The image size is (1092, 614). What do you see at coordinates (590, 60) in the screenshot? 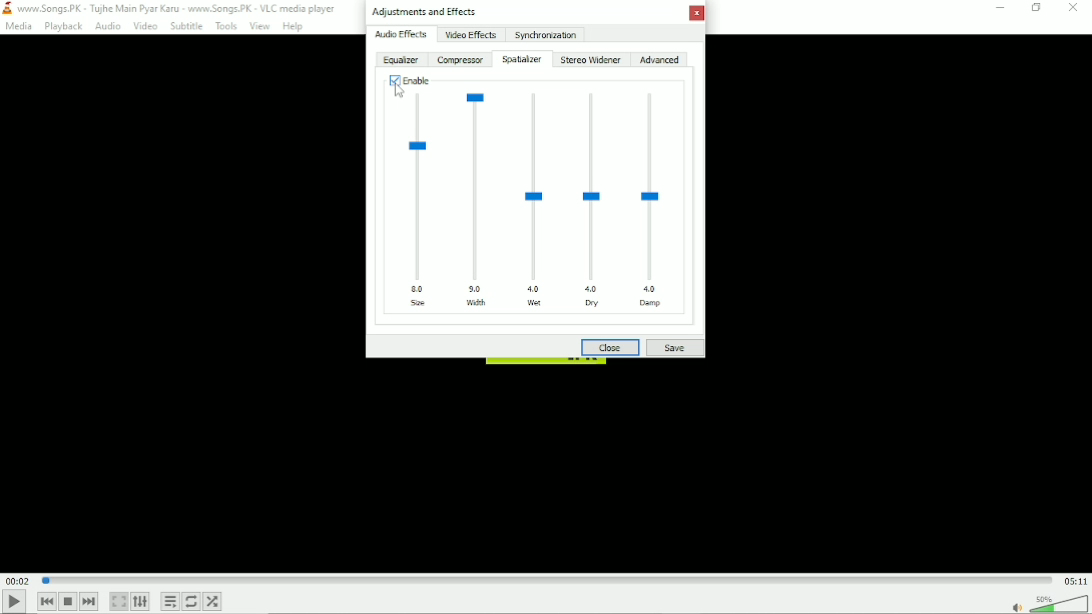
I see `Stereo widener` at bounding box center [590, 60].